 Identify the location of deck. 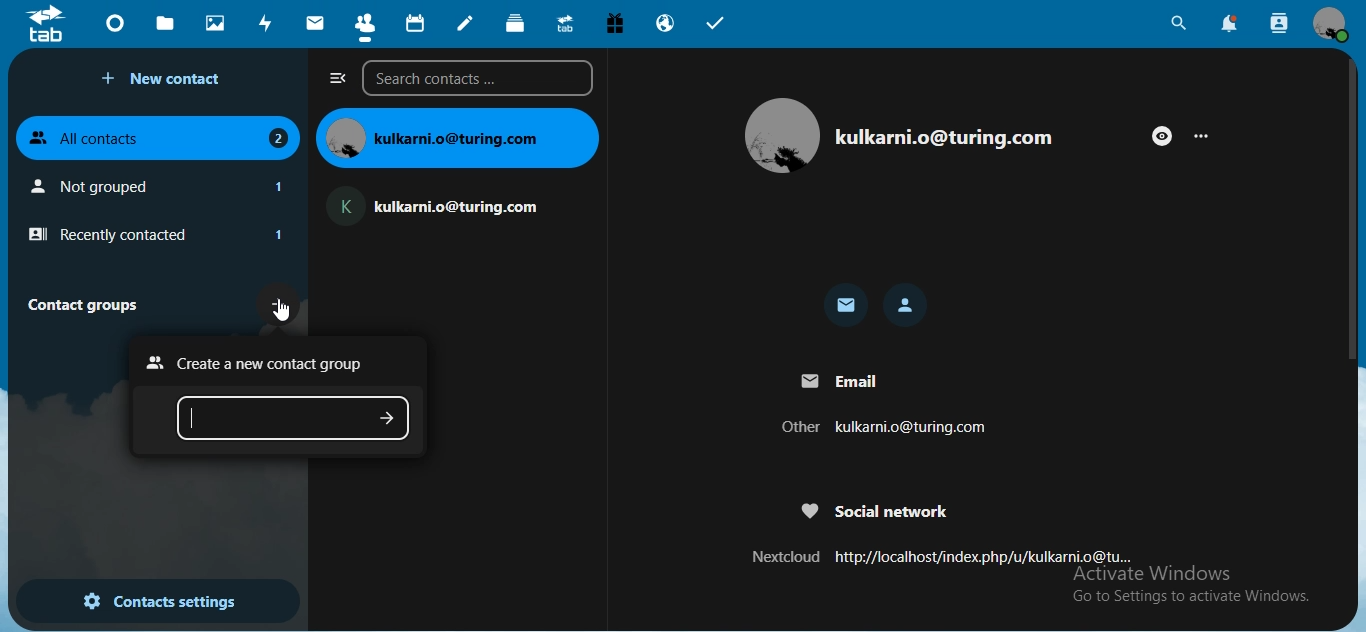
(517, 23).